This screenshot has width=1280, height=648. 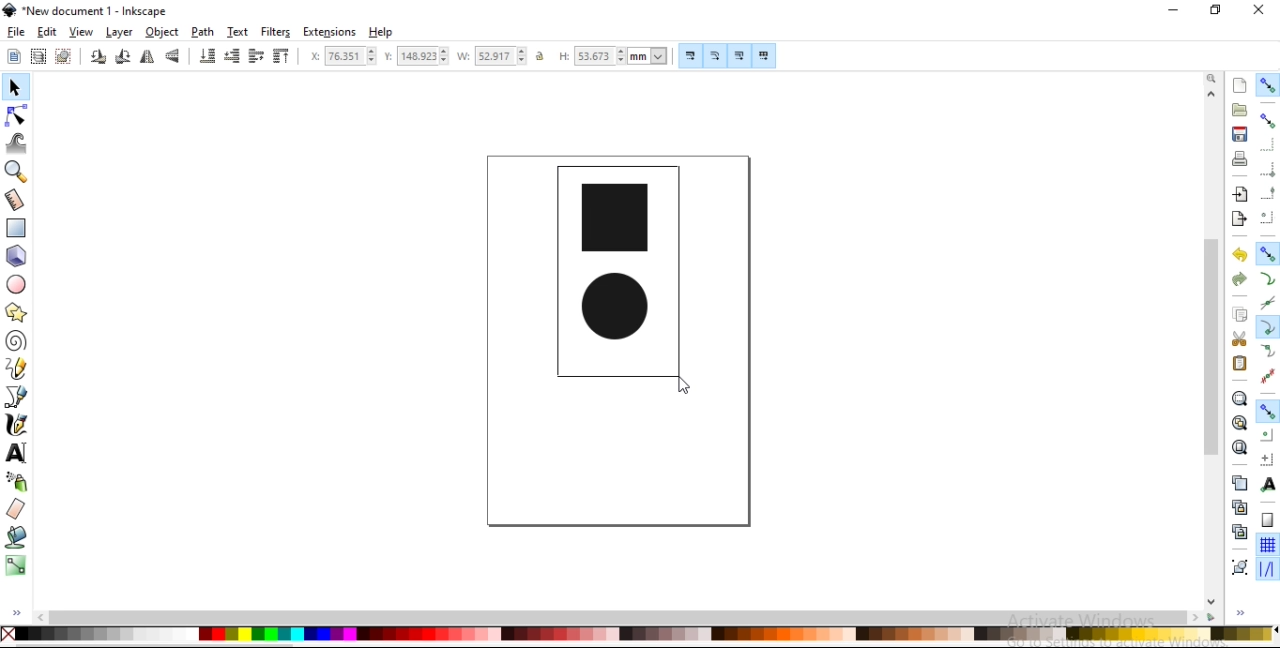 What do you see at coordinates (18, 285) in the screenshot?
I see `create circles, arcs and ellipses` at bounding box center [18, 285].